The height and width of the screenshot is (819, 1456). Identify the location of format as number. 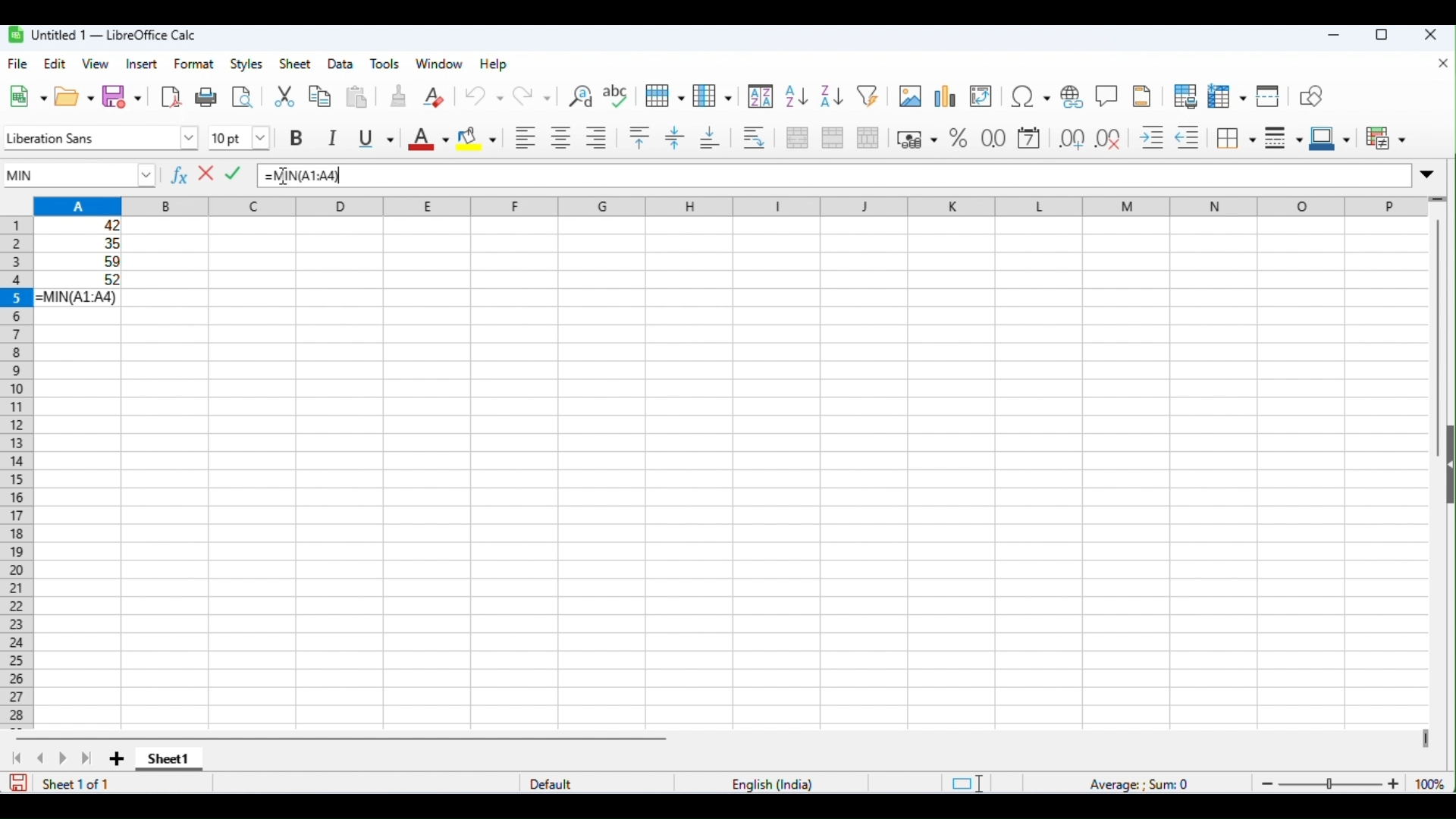
(993, 139).